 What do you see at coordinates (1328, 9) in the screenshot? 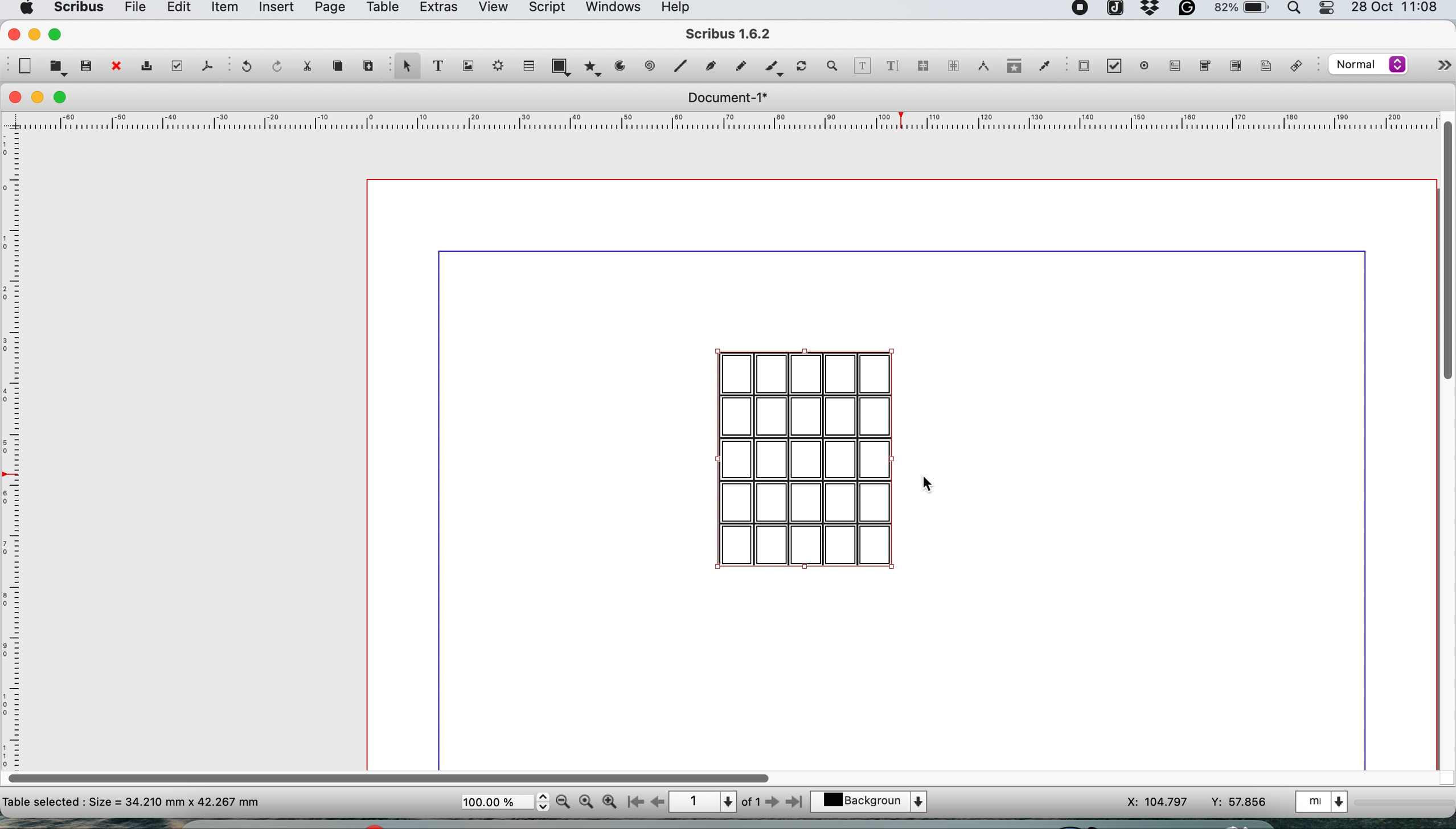
I see `control center` at bounding box center [1328, 9].